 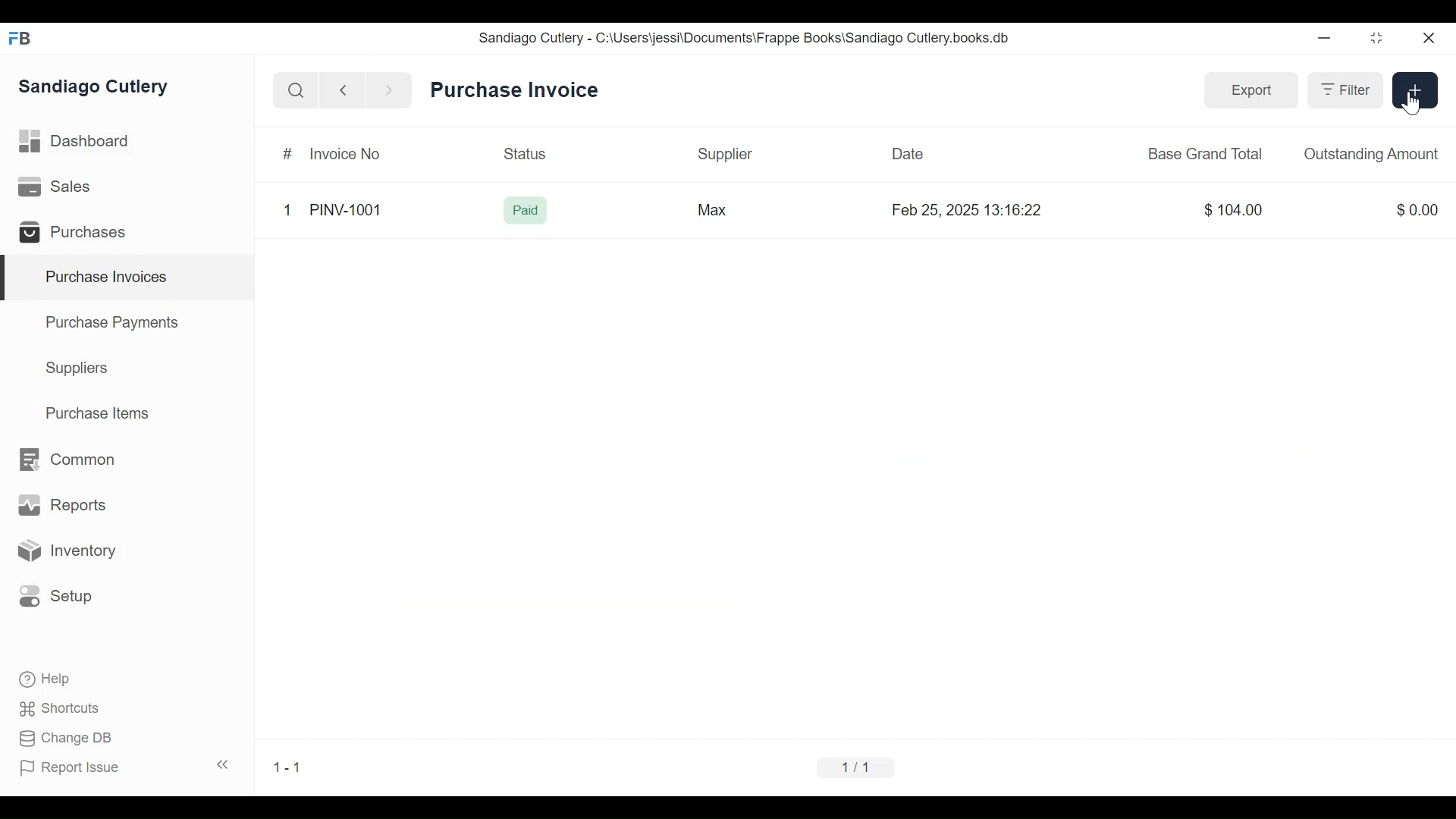 What do you see at coordinates (1252, 89) in the screenshot?
I see `Export` at bounding box center [1252, 89].